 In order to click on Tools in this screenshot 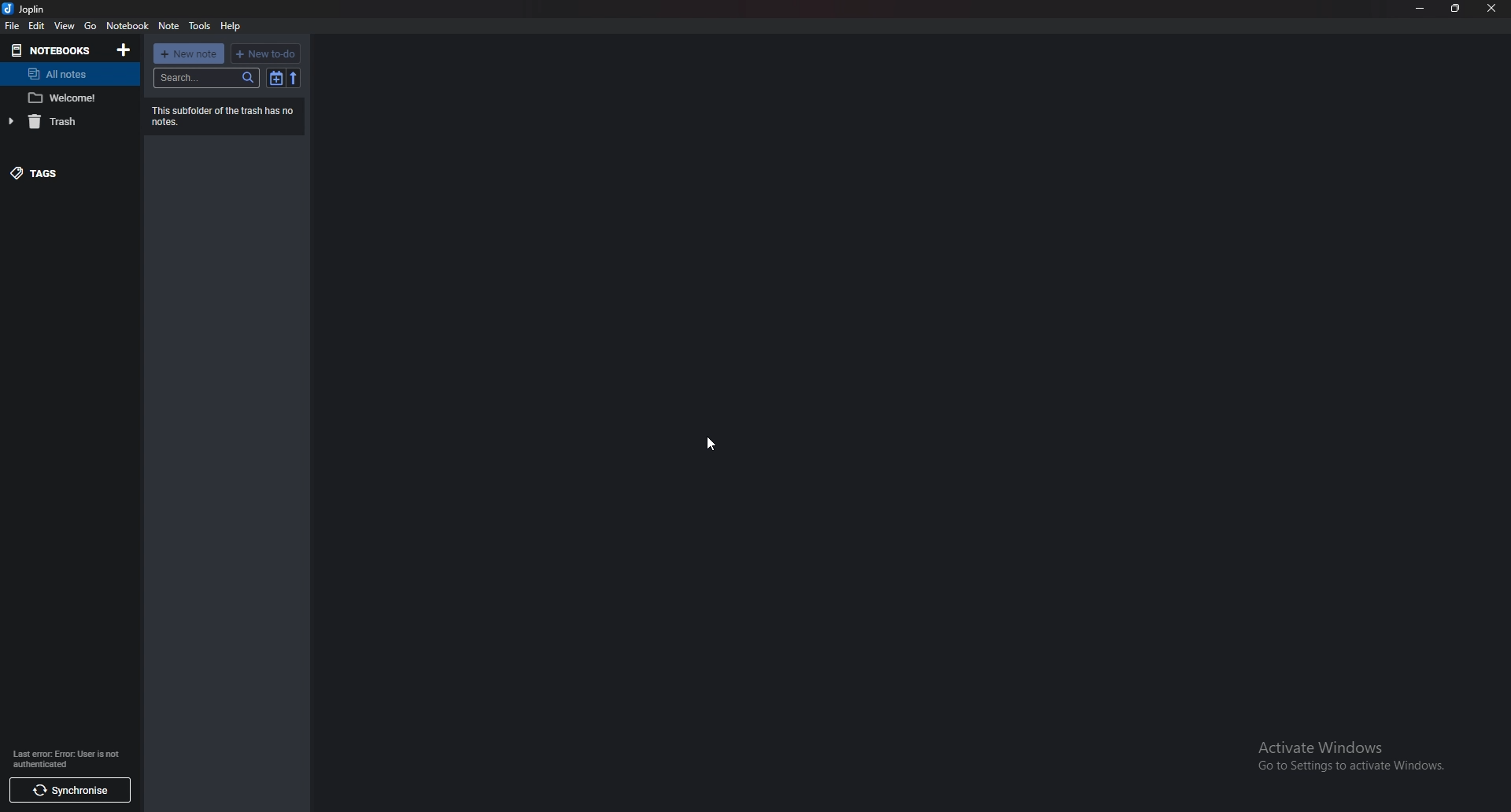, I will do `click(201, 25)`.